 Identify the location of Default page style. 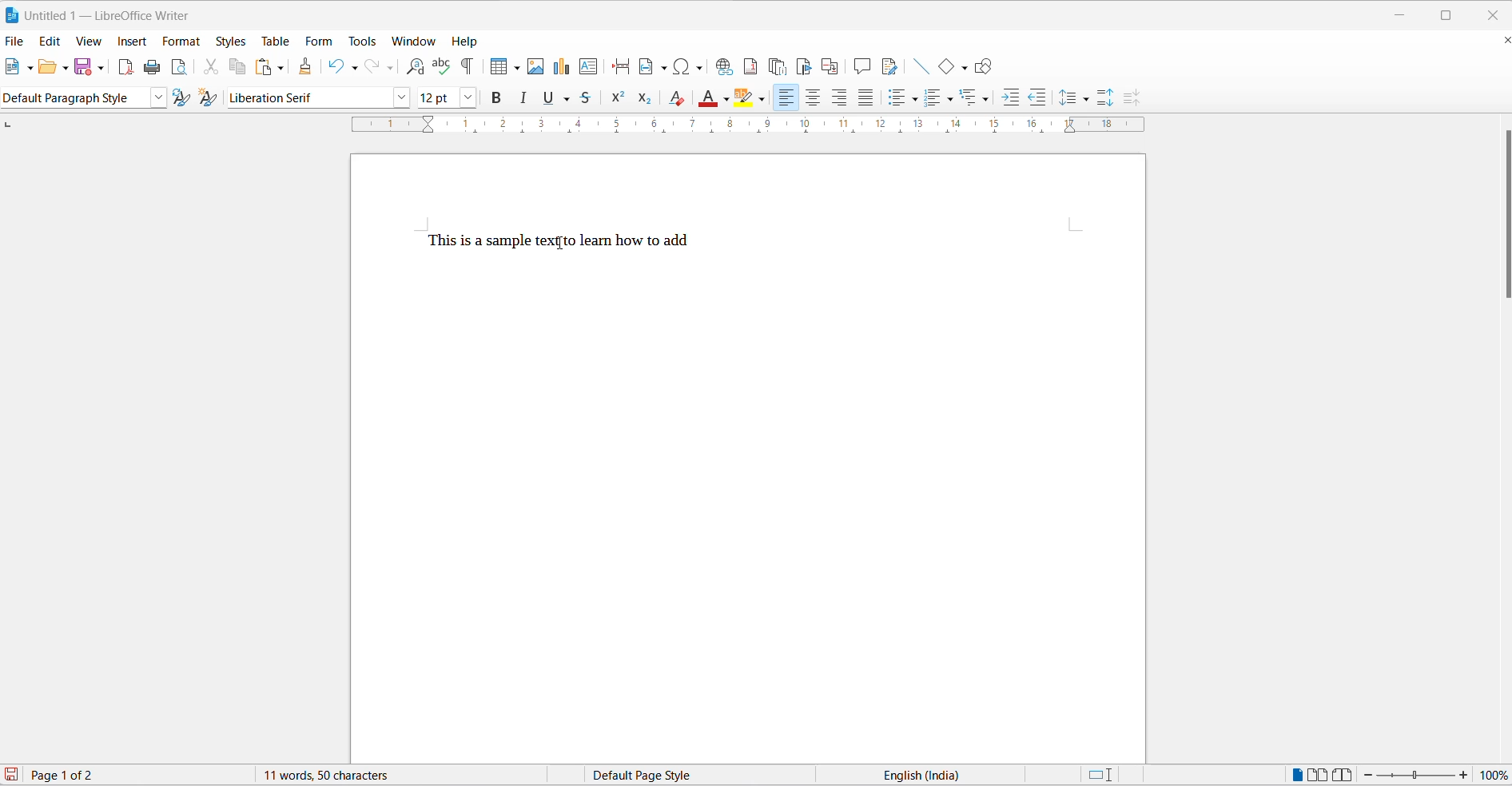
(672, 776).